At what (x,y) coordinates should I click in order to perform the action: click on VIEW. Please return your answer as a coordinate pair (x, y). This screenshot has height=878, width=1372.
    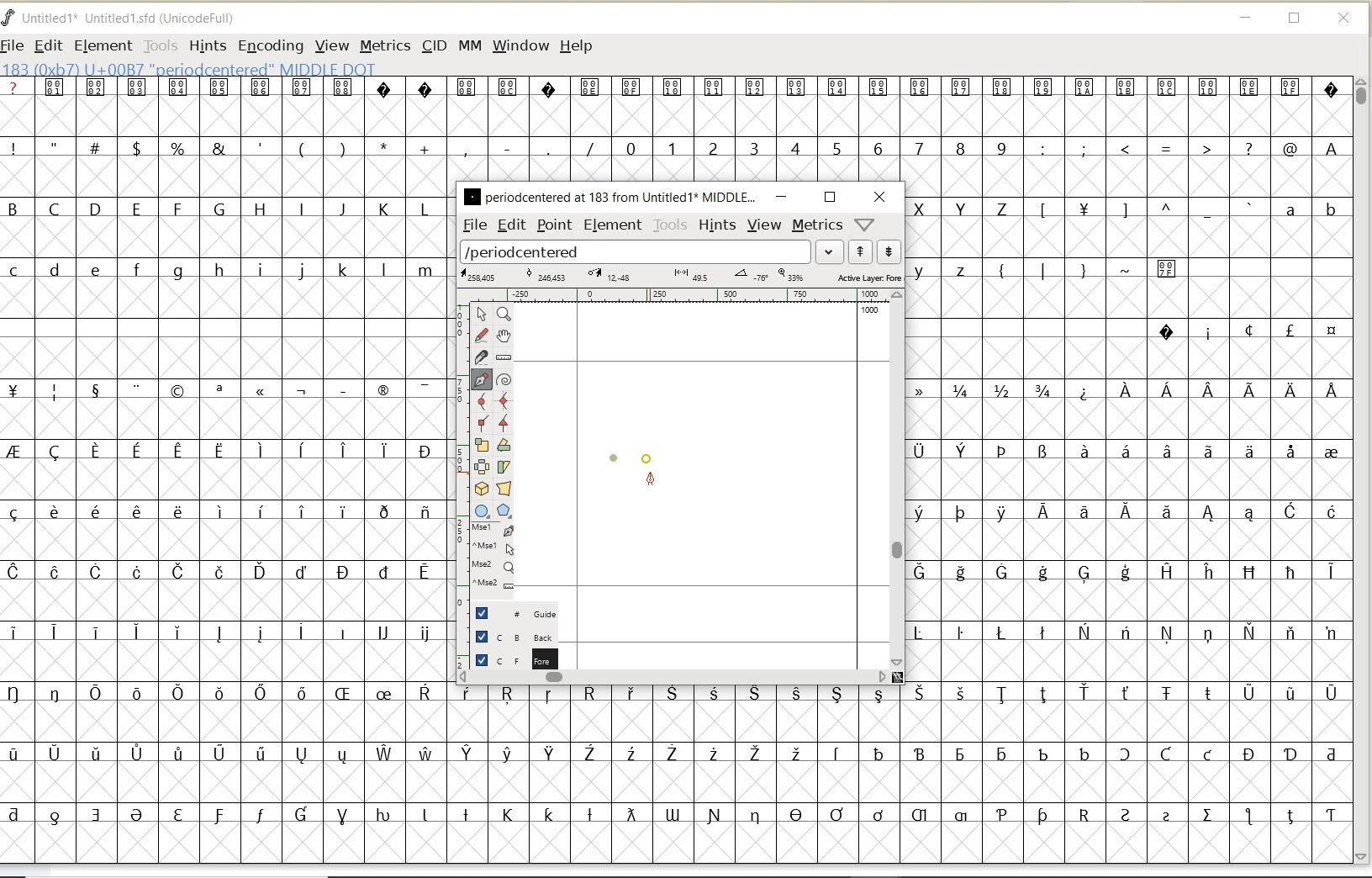
    Looking at the image, I should click on (332, 46).